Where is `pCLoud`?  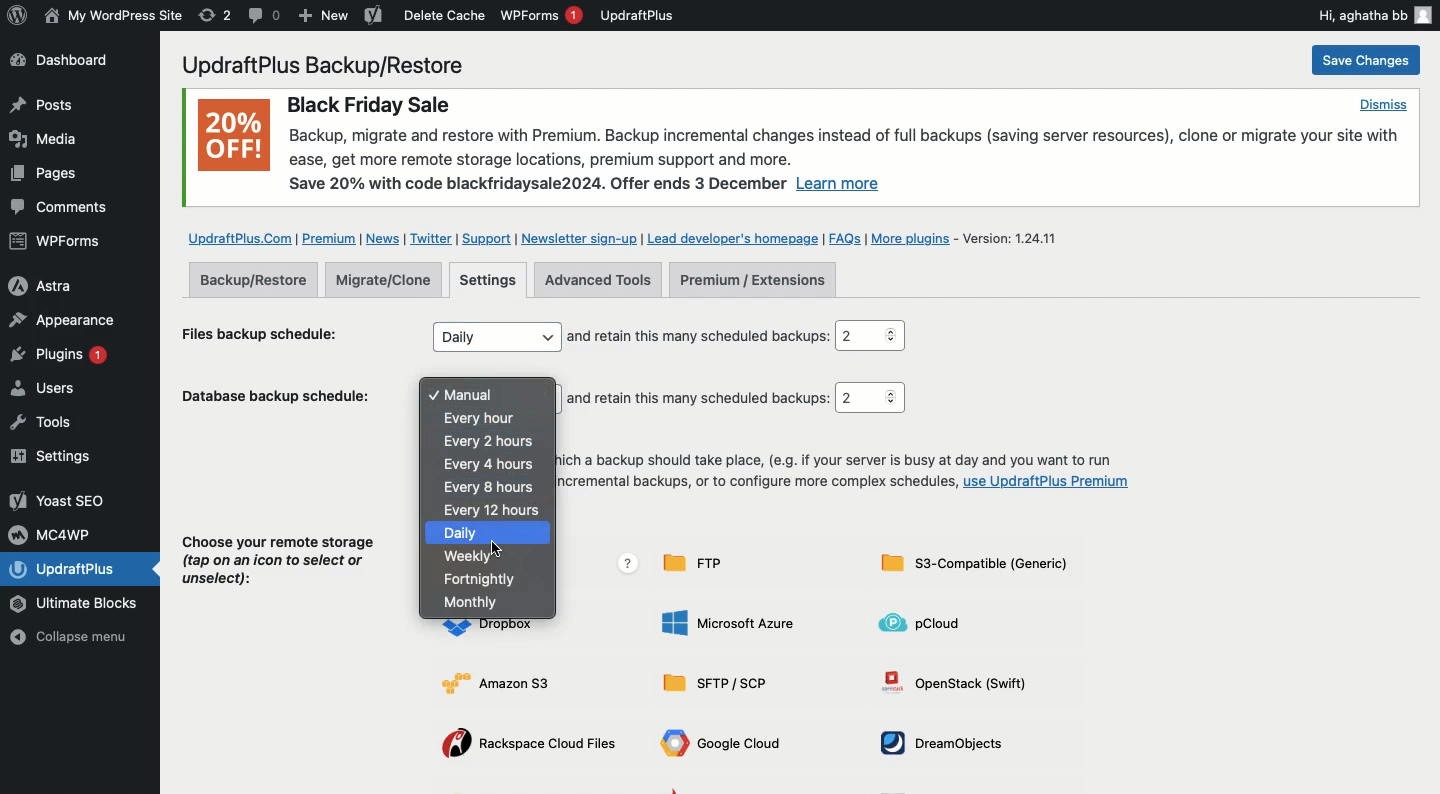
pCLoud is located at coordinates (928, 622).